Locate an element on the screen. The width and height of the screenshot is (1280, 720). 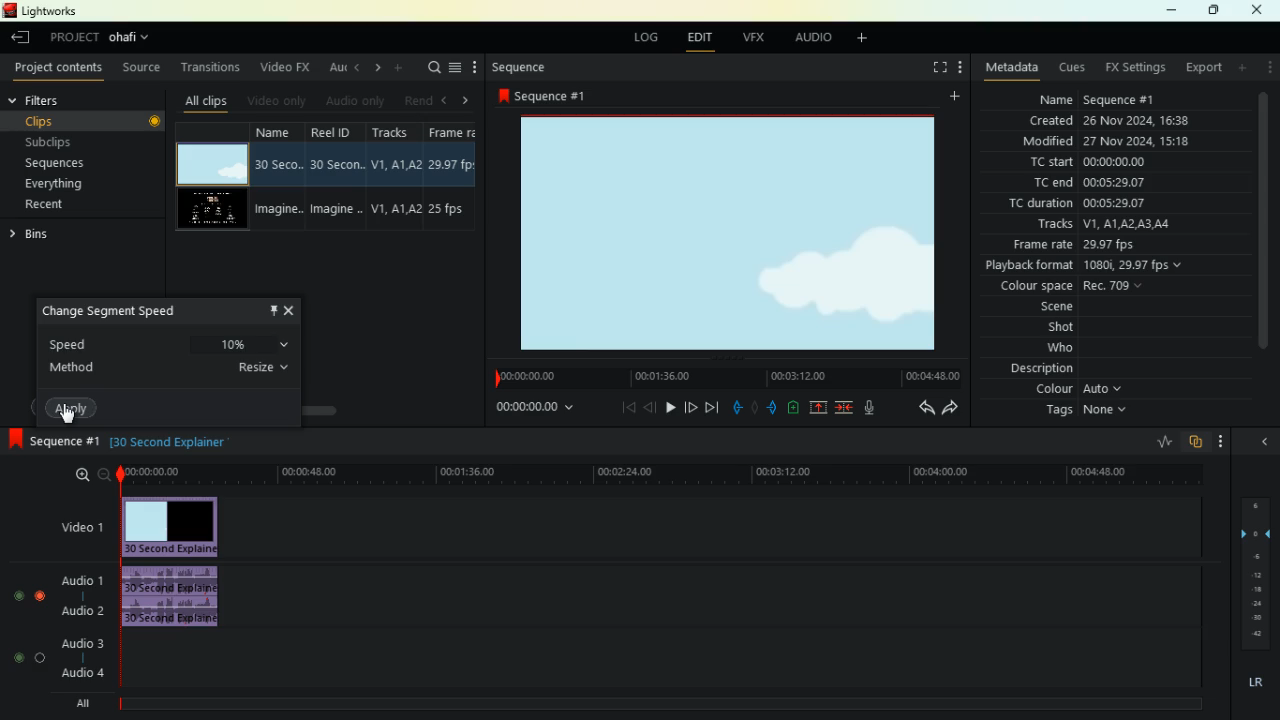
tc duration is located at coordinates (1086, 205).